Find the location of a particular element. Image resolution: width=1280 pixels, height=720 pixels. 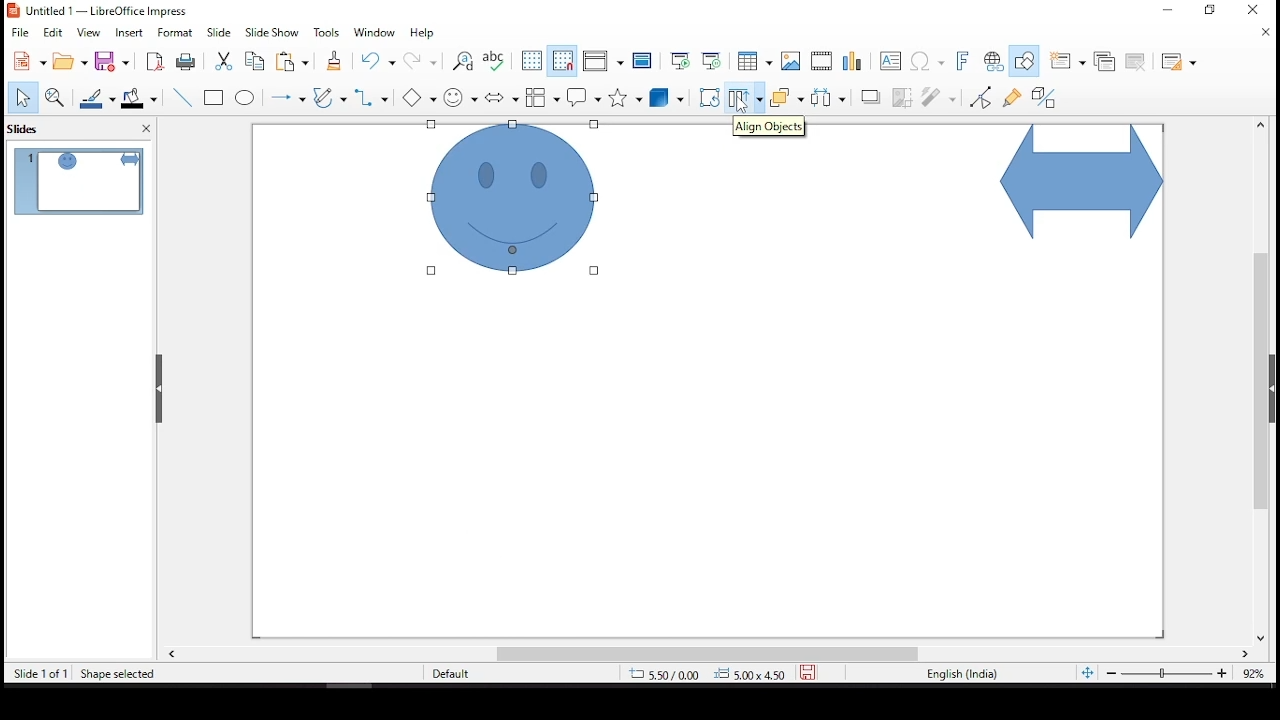

stars and banners is located at coordinates (622, 97).